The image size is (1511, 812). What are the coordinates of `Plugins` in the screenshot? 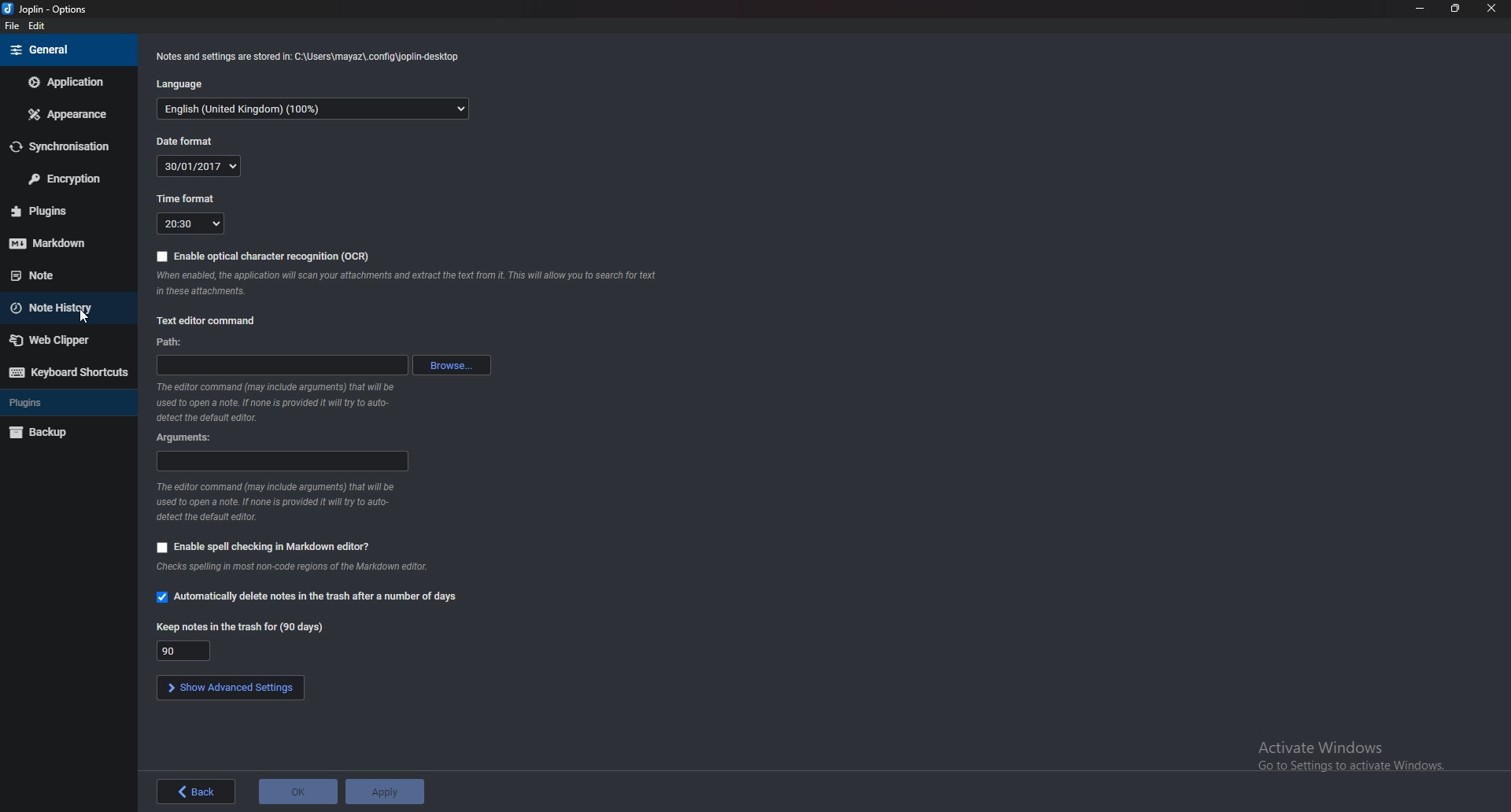 It's located at (63, 402).